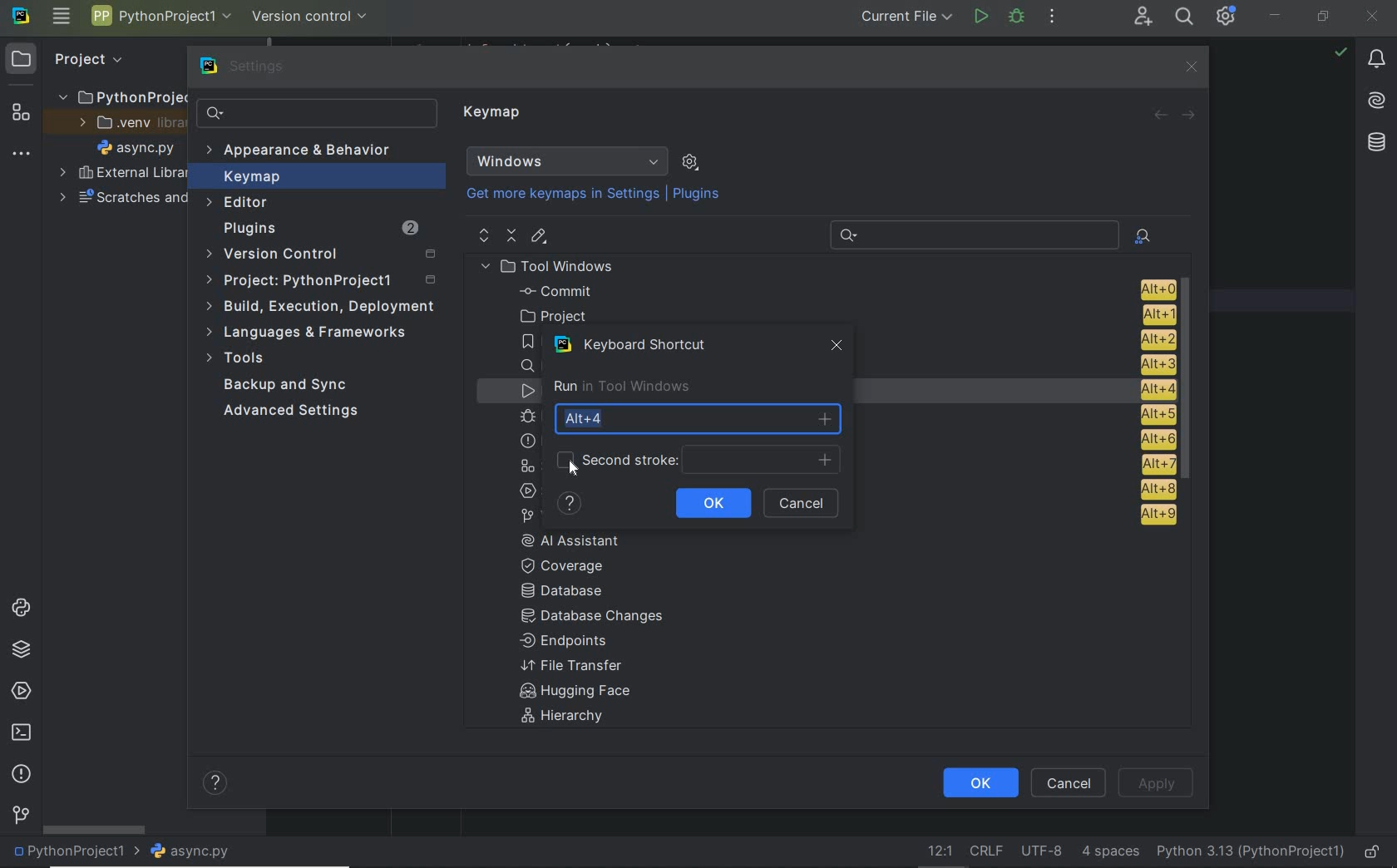  I want to click on External Libraries, so click(119, 174).